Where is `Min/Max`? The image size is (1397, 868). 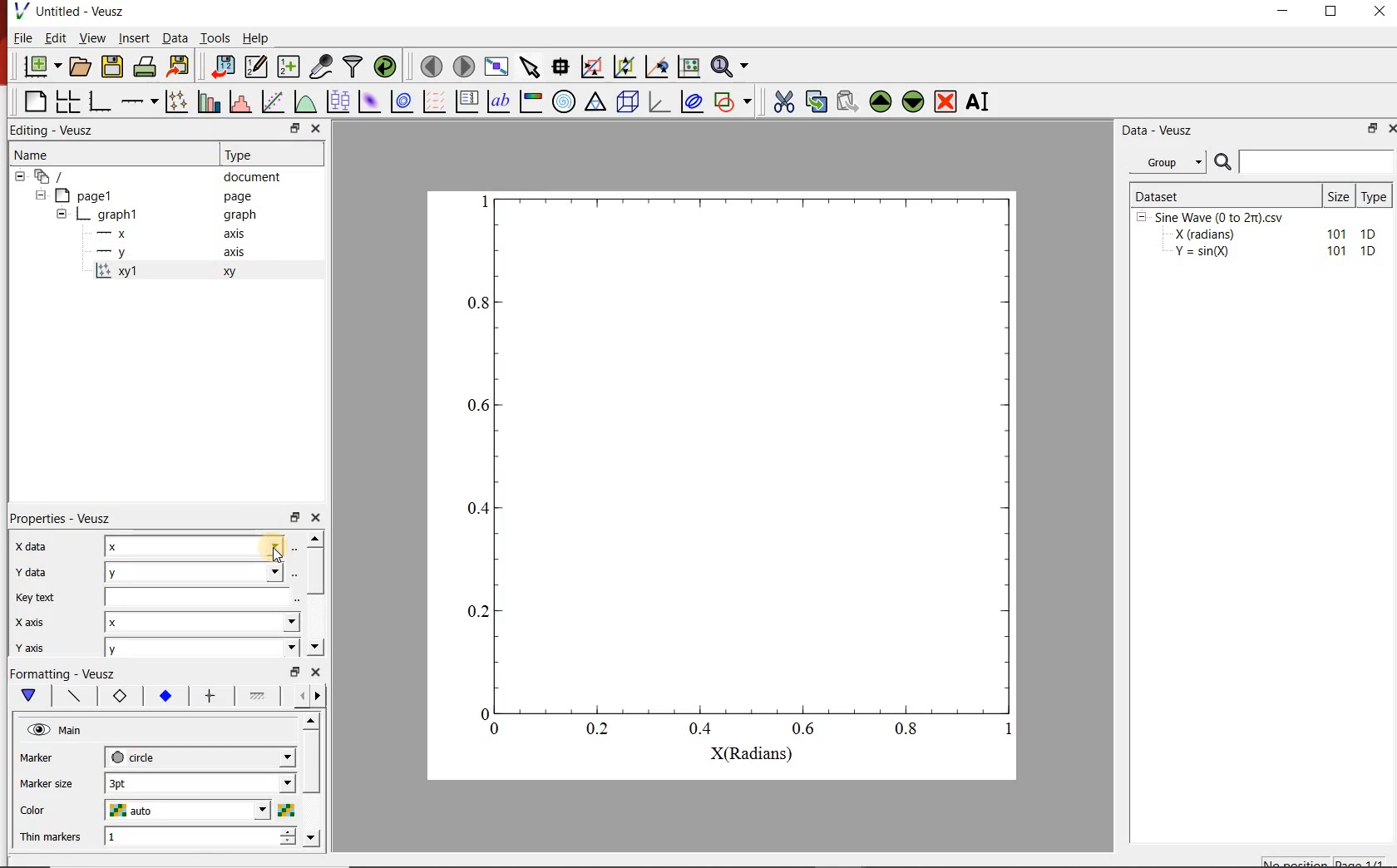
Min/Max is located at coordinates (295, 672).